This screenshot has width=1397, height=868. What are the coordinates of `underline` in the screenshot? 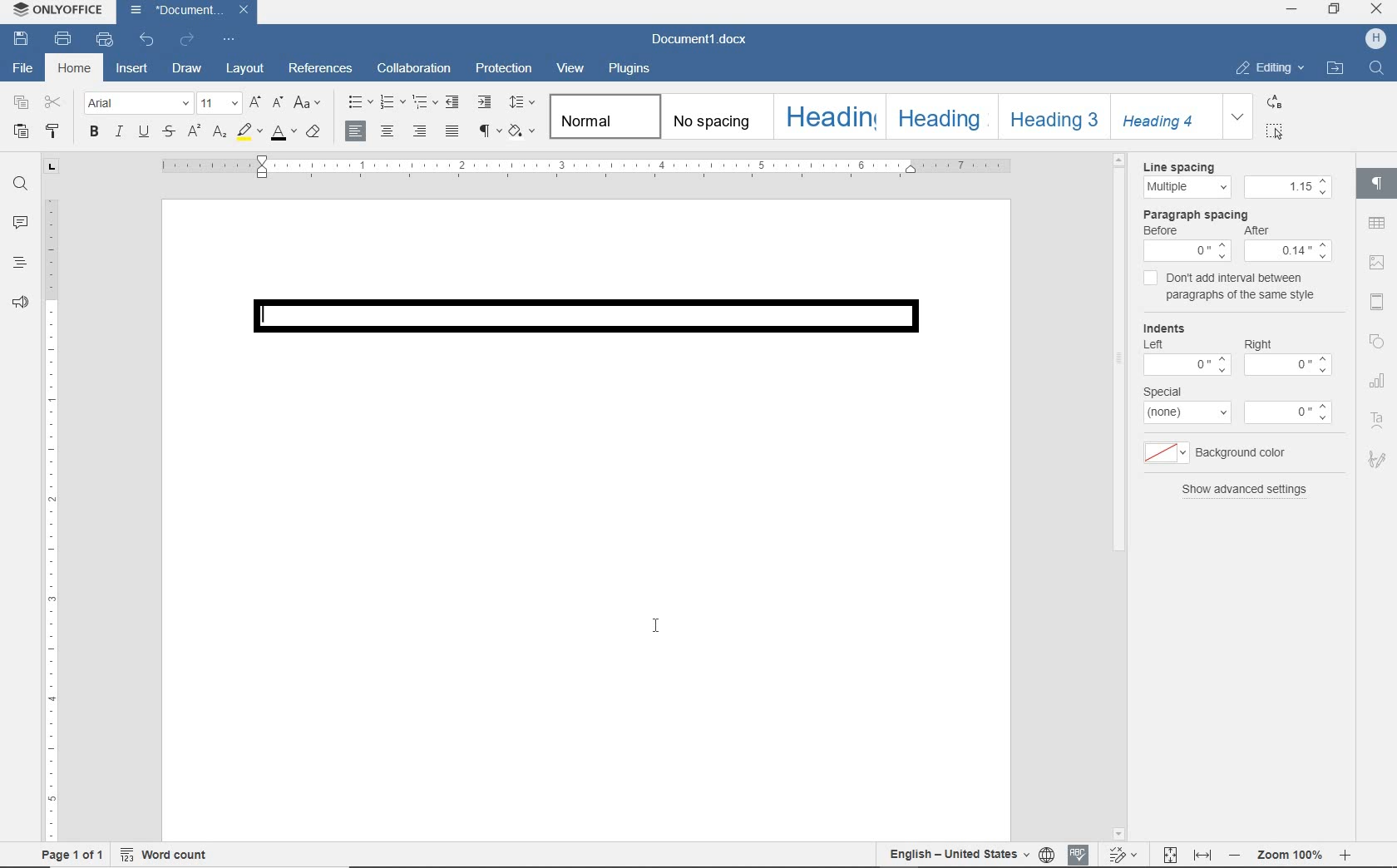 It's located at (144, 134).